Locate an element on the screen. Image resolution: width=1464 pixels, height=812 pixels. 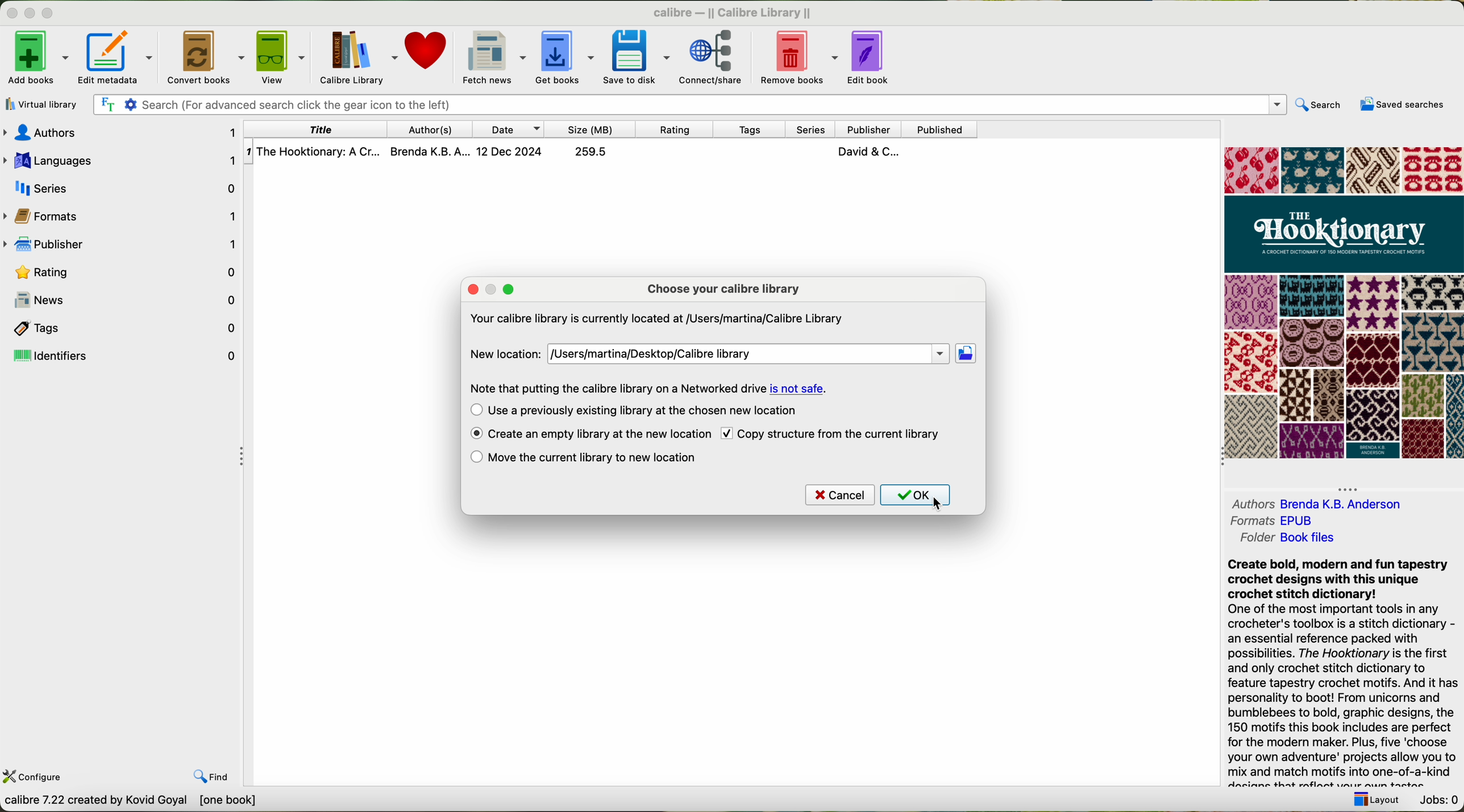
formats EPUB is located at coordinates (1270, 521).